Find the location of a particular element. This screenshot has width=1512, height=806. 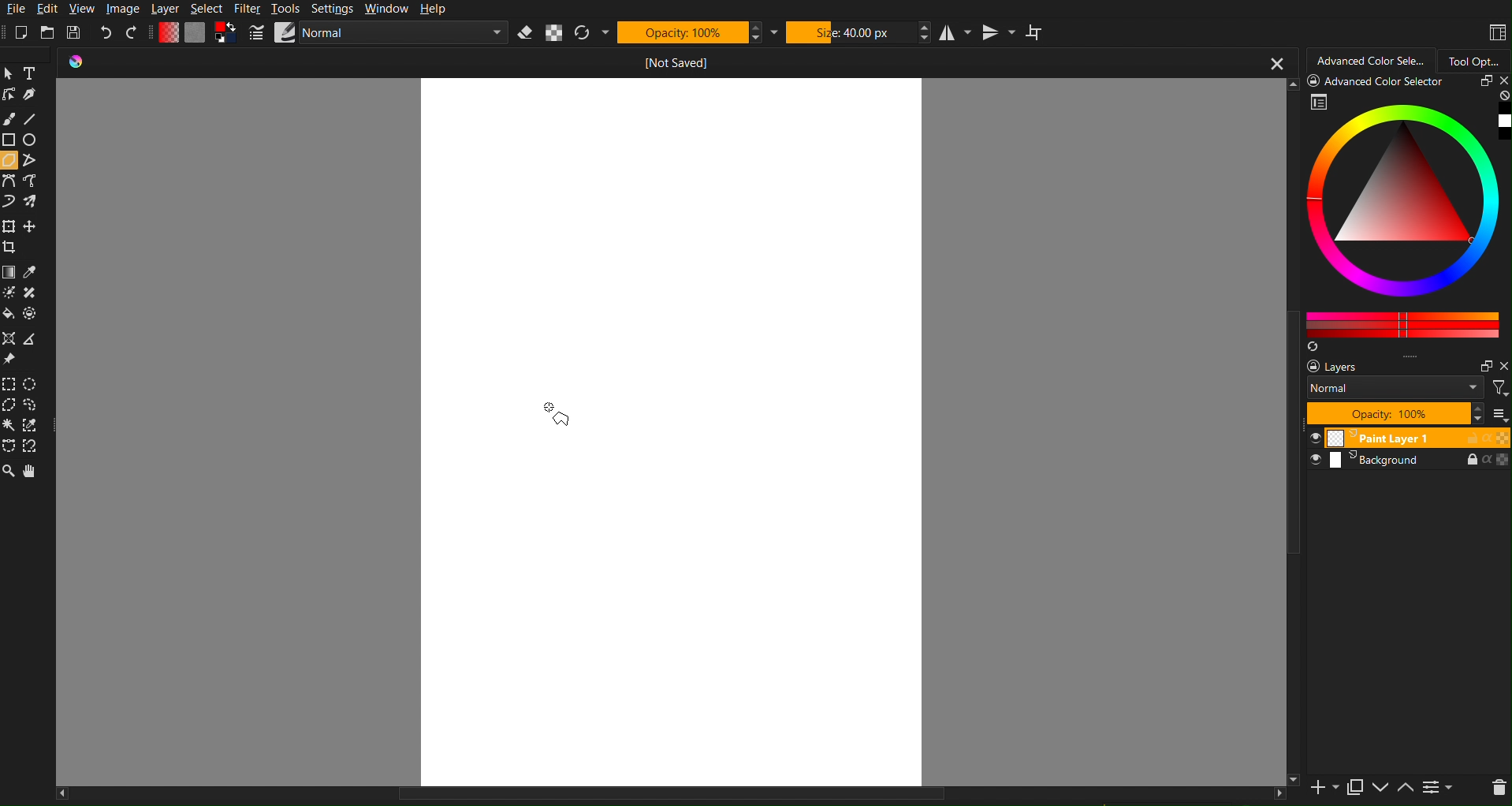

more is located at coordinates (1498, 414).